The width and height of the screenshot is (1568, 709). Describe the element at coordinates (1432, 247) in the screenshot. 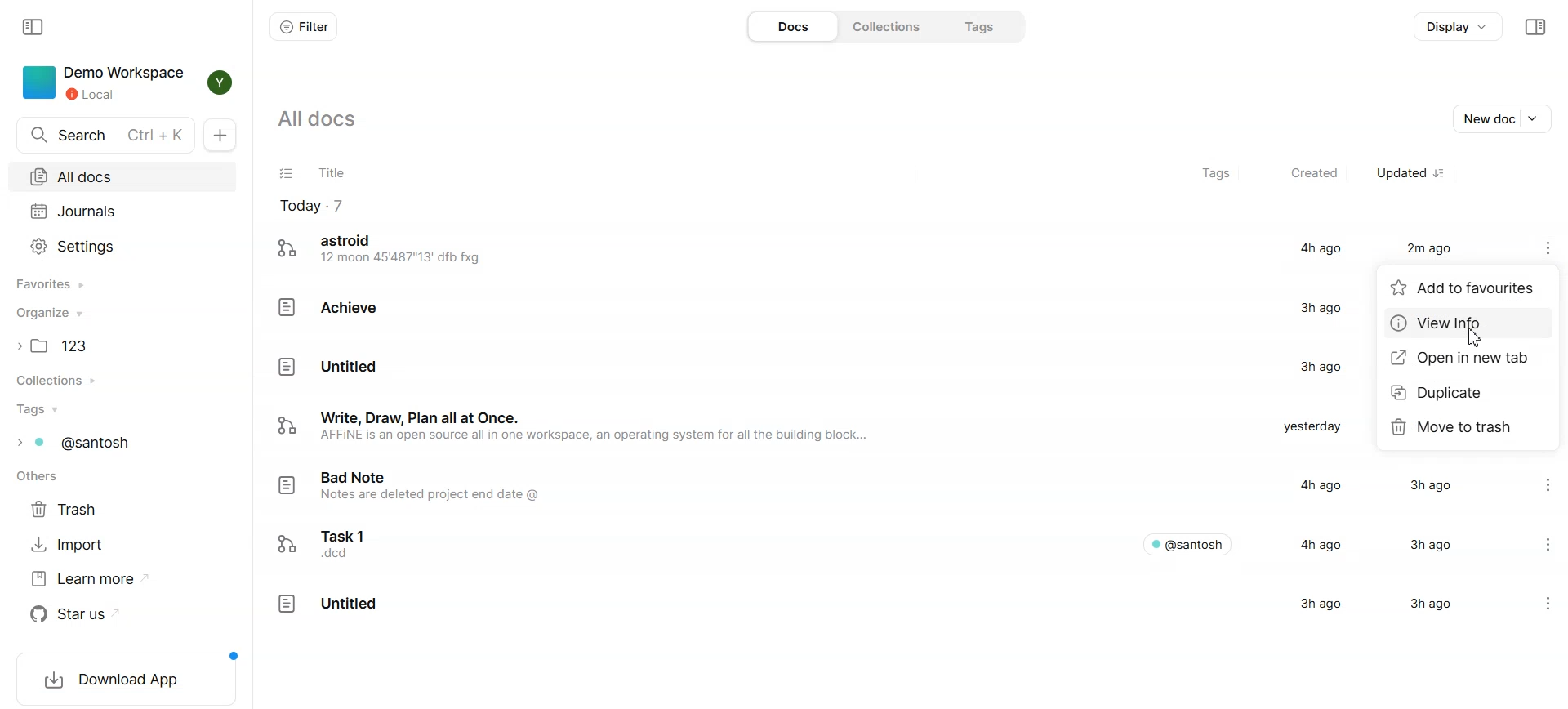

I see `2m ago` at that location.